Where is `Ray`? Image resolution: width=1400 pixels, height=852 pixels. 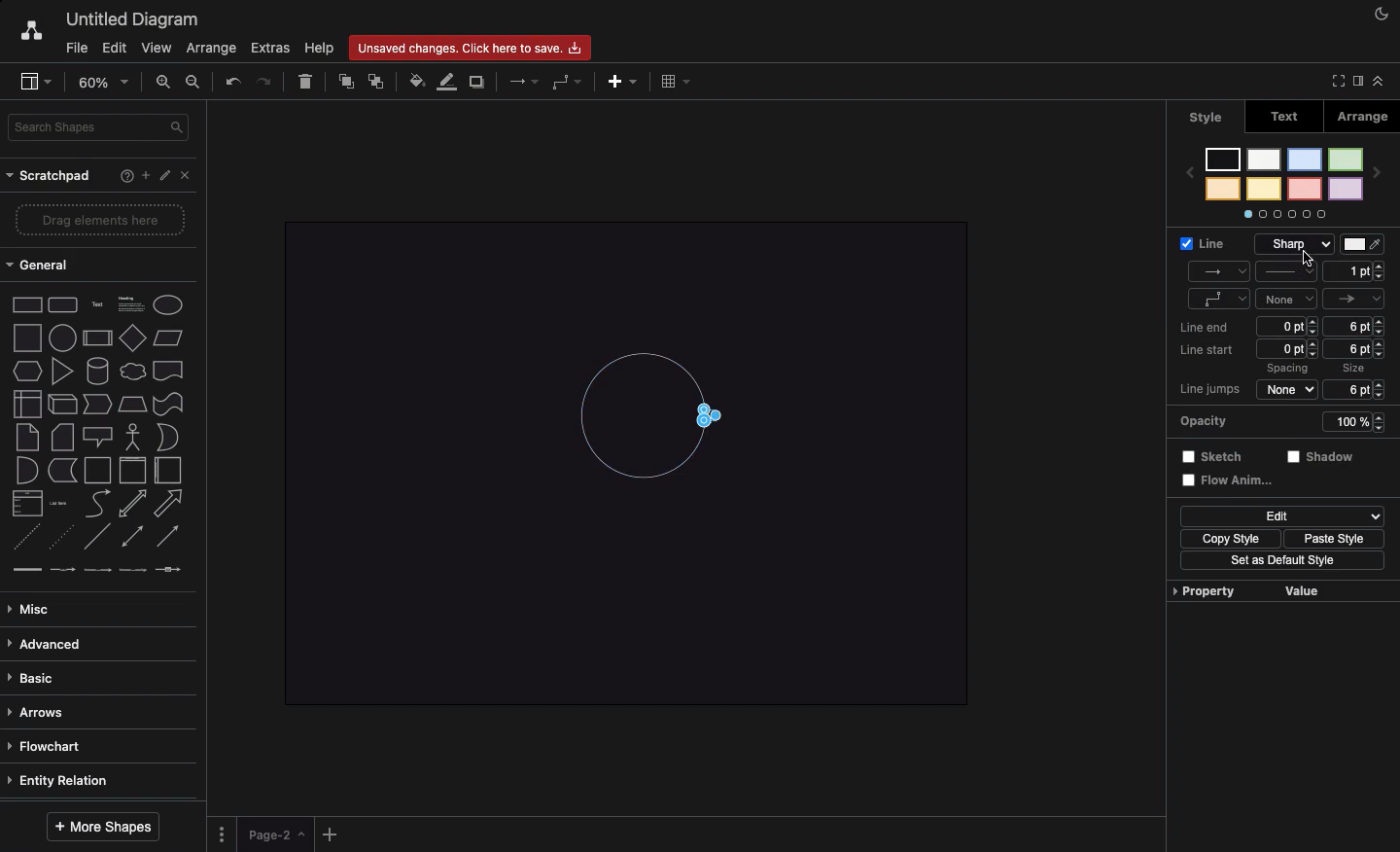 Ray is located at coordinates (1217, 272).